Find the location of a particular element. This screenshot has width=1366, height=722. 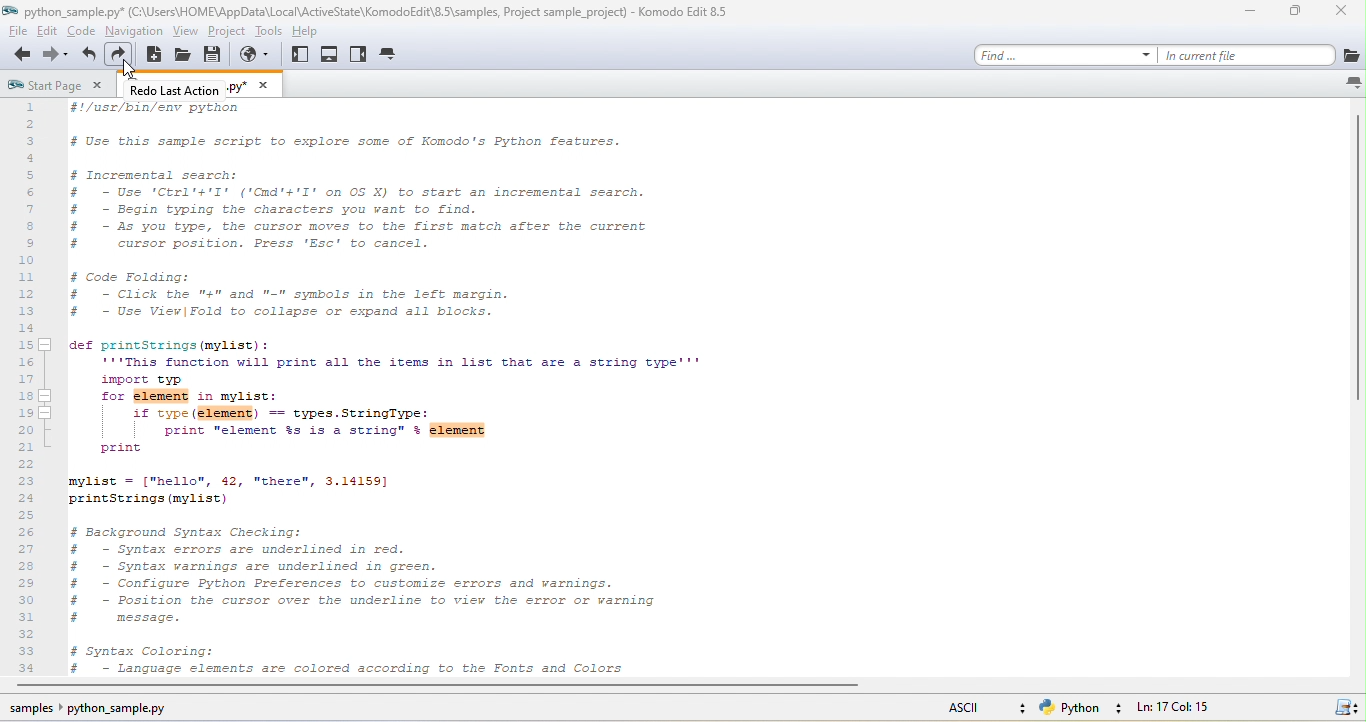

open is located at coordinates (183, 56).